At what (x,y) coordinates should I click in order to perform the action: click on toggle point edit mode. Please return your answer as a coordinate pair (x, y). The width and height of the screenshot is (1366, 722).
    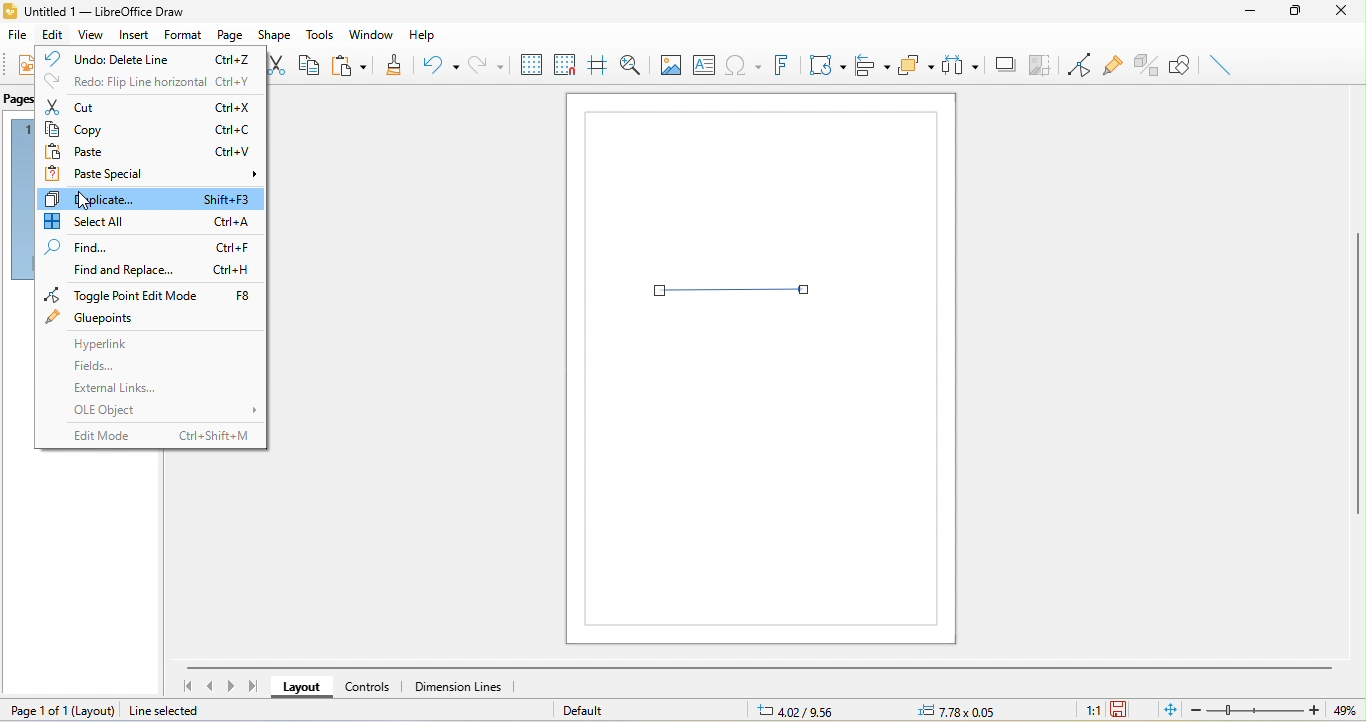
    Looking at the image, I should click on (1074, 62).